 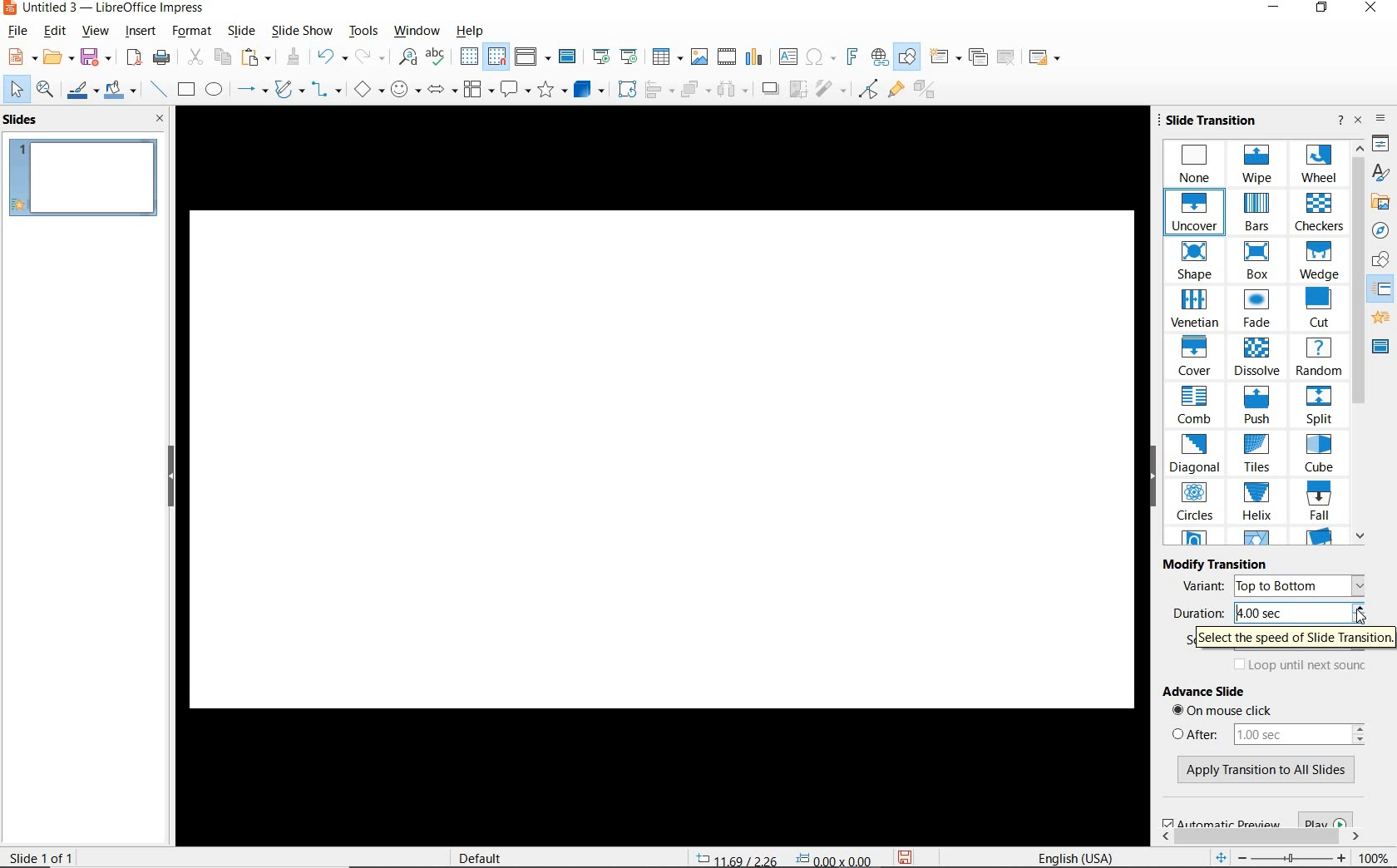 What do you see at coordinates (668, 57) in the screenshot?
I see `TABLE` at bounding box center [668, 57].